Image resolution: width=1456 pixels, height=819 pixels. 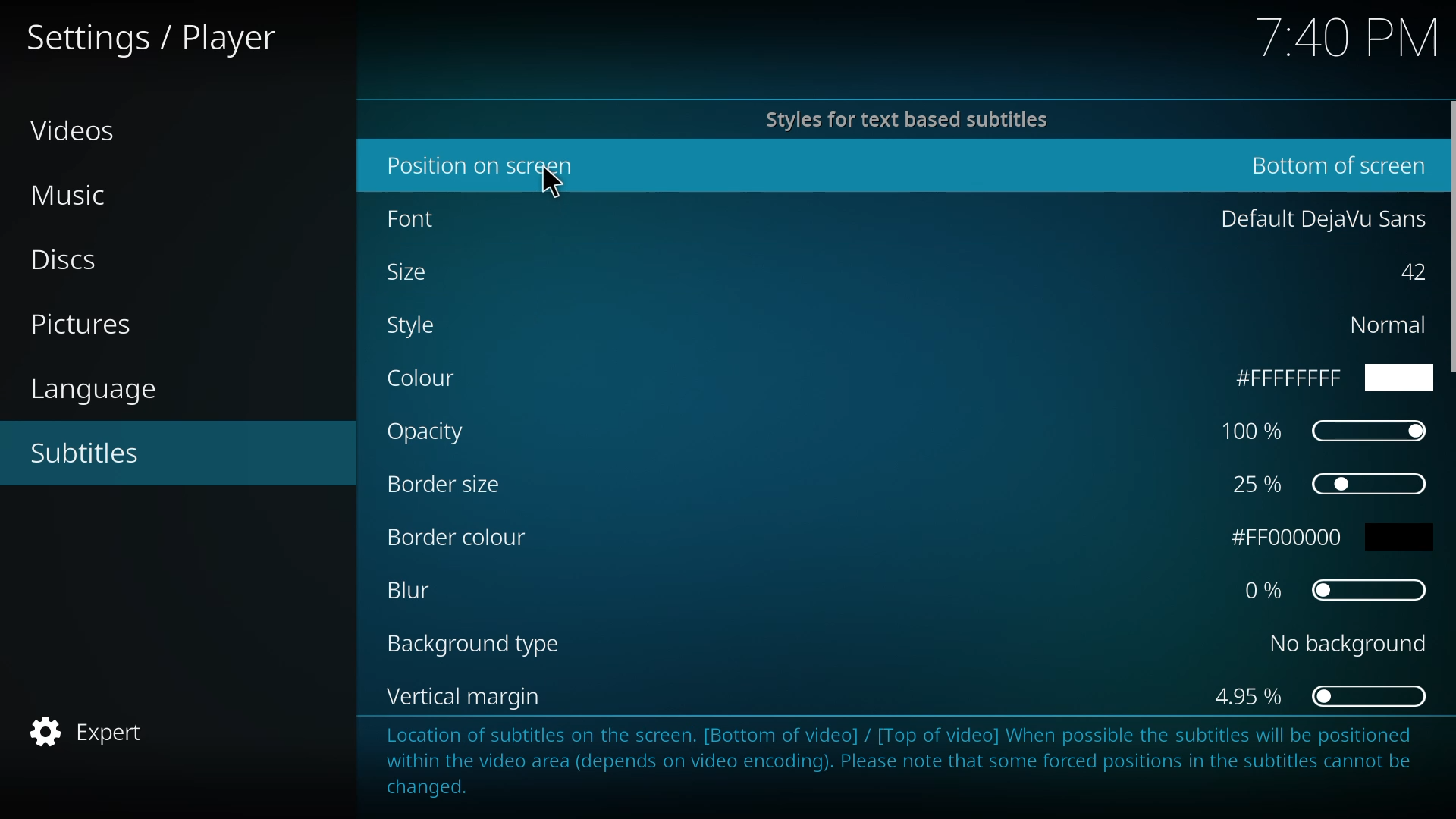 What do you see at coordinates (1325, 484) in the screenshot?
I see `25` at bounding box center [1325, 484].